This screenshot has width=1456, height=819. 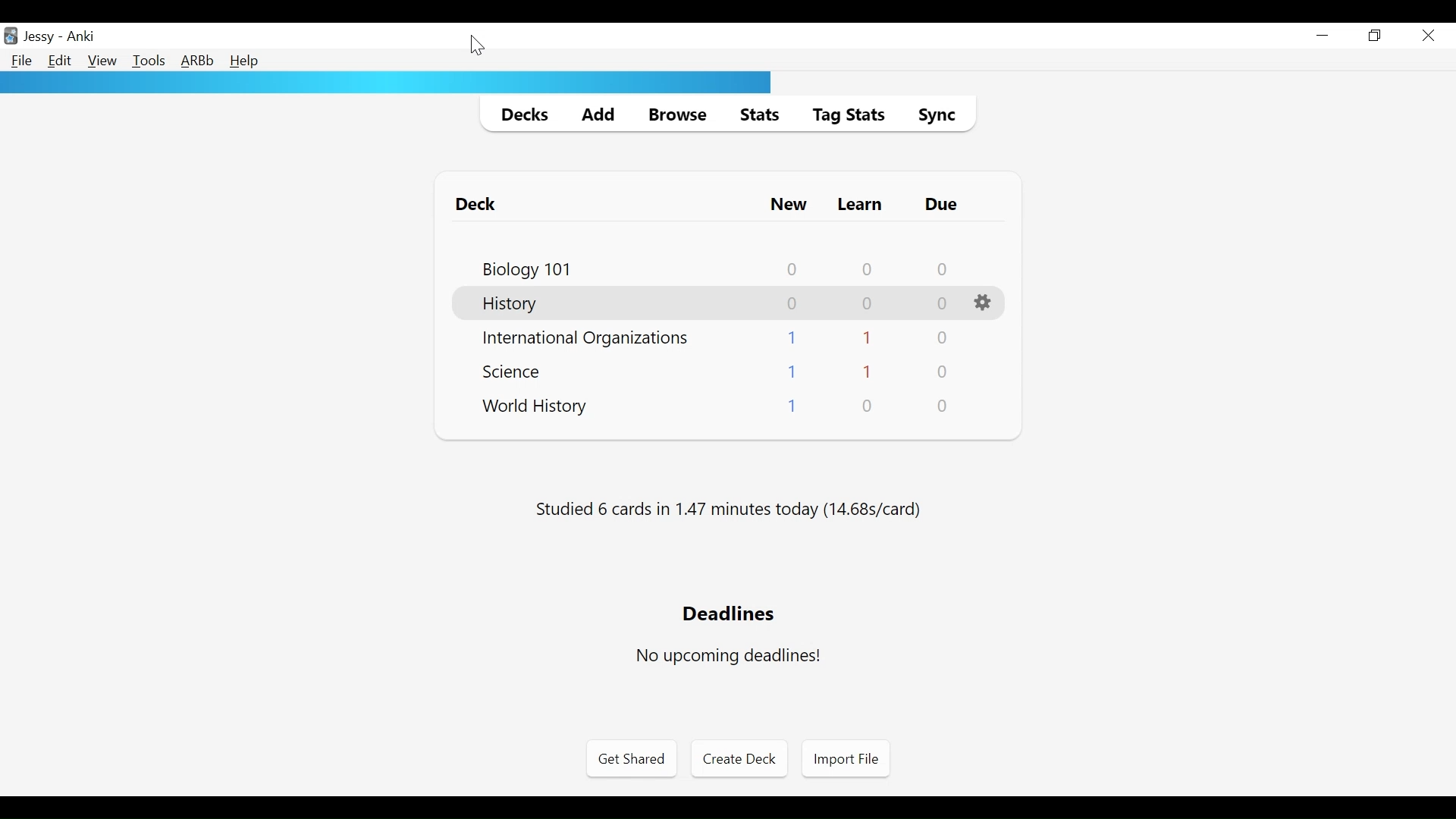 What do you see at coordinates (943, 339) in the screenshot?
I see `Due Card Count` at bounding box center [943, 339].